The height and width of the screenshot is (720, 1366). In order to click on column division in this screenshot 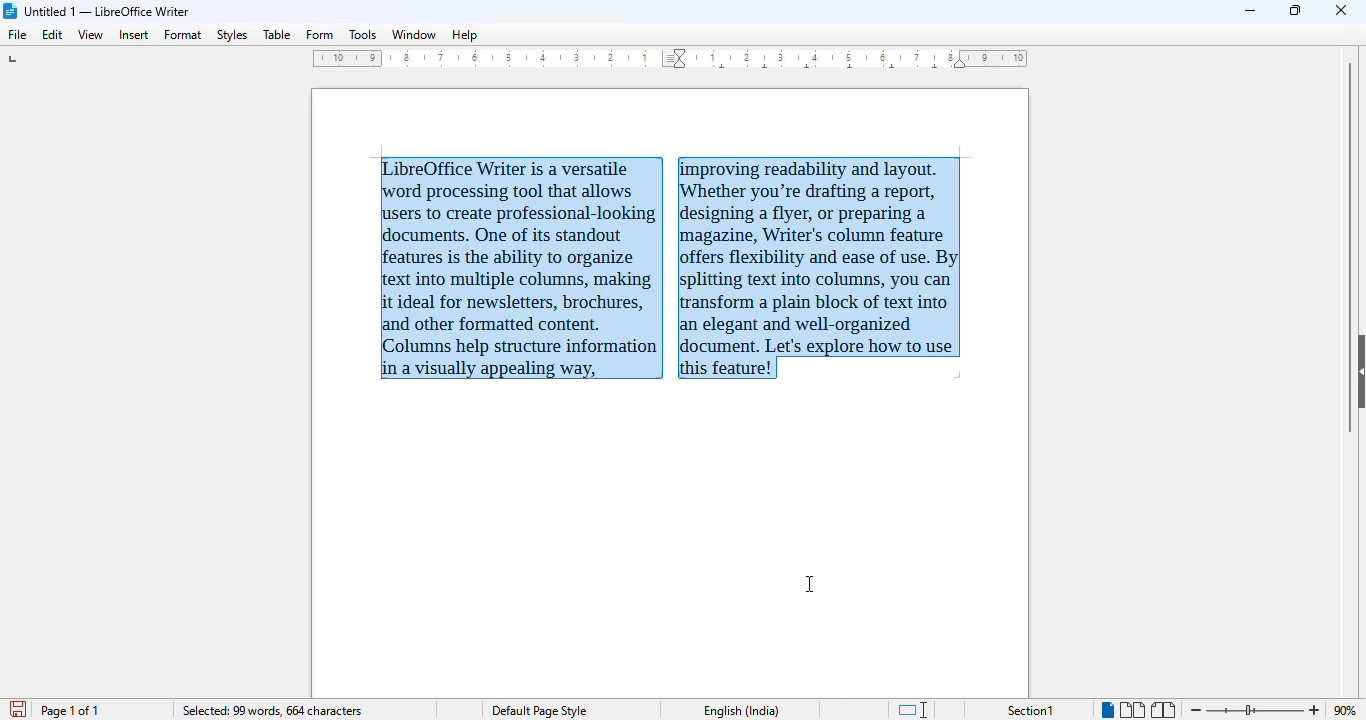, I will do `click(675, 59)`.